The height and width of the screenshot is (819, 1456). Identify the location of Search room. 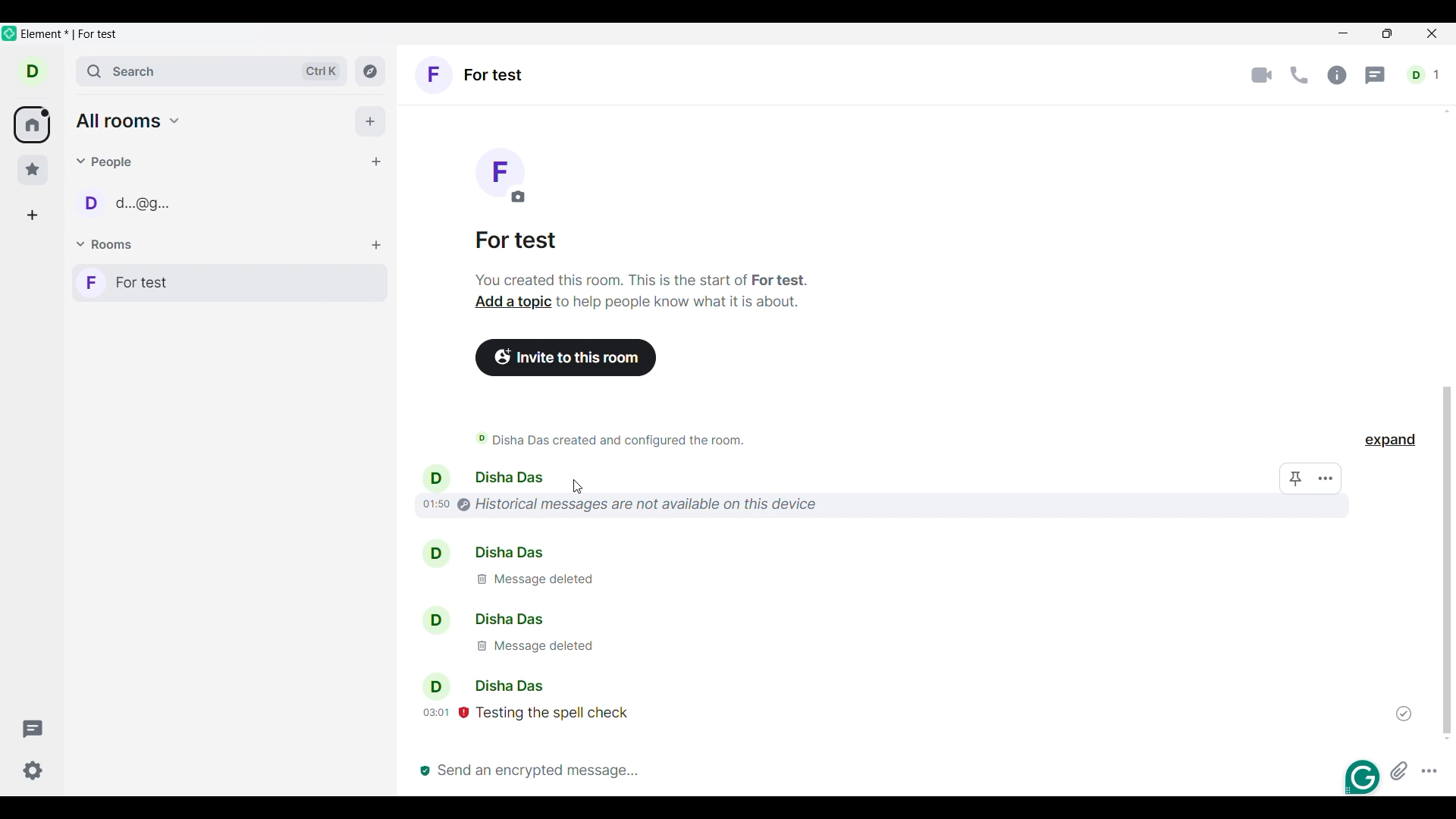
(213, 71).